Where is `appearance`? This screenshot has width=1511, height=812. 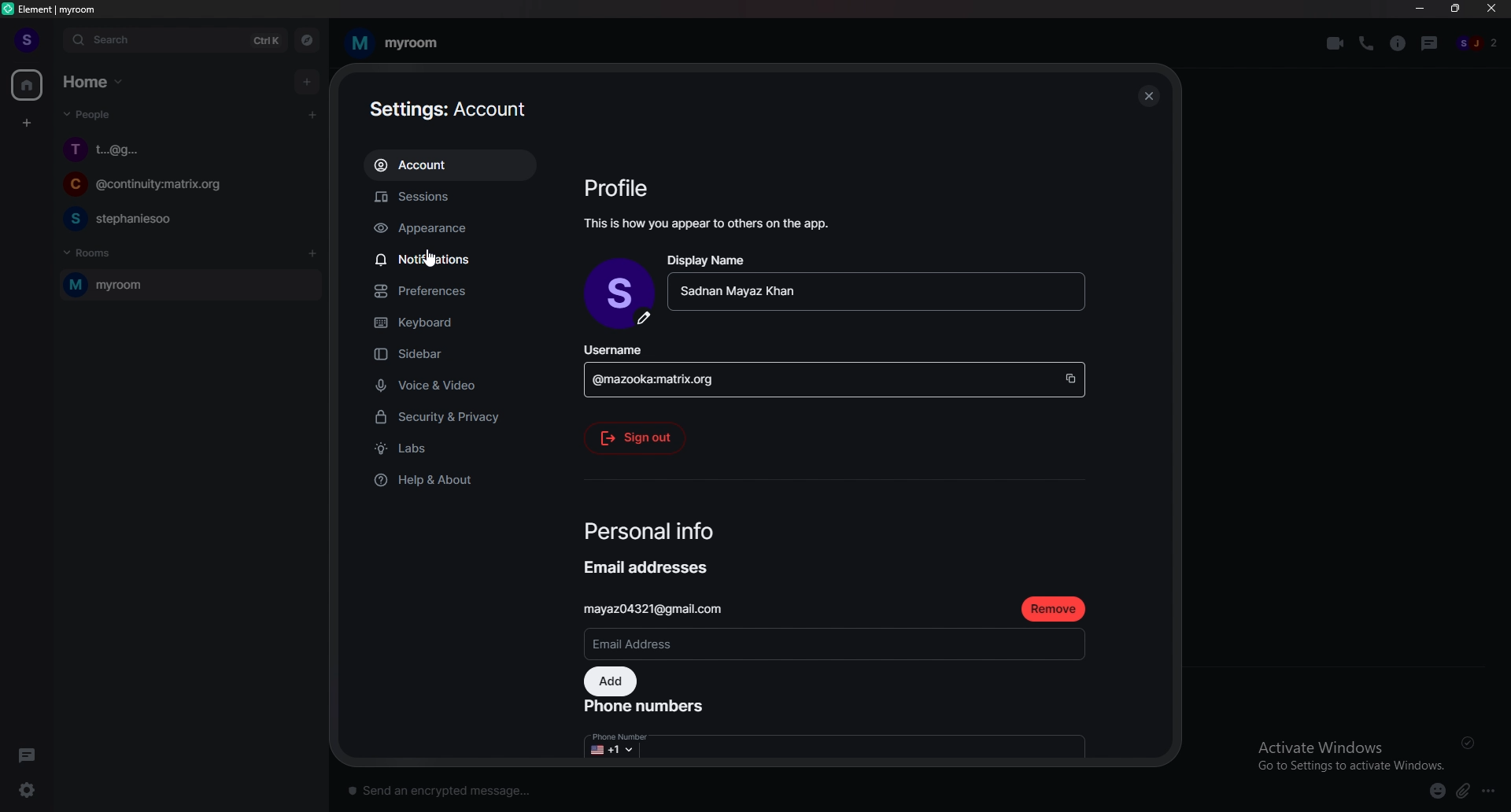 appearance is located at coordinates (456, 229).